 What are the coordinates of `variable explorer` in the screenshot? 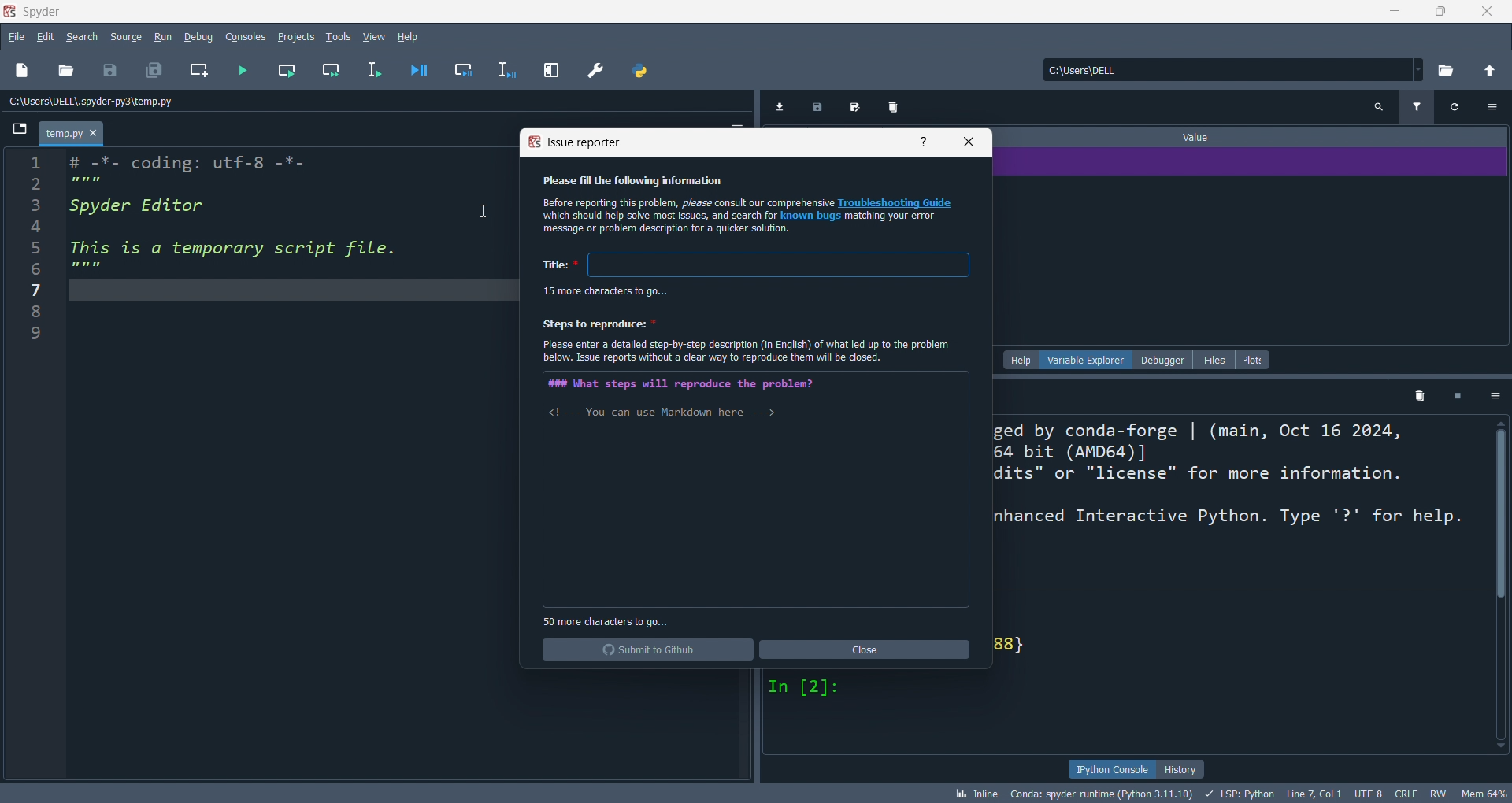 It's located at (1086, 360).